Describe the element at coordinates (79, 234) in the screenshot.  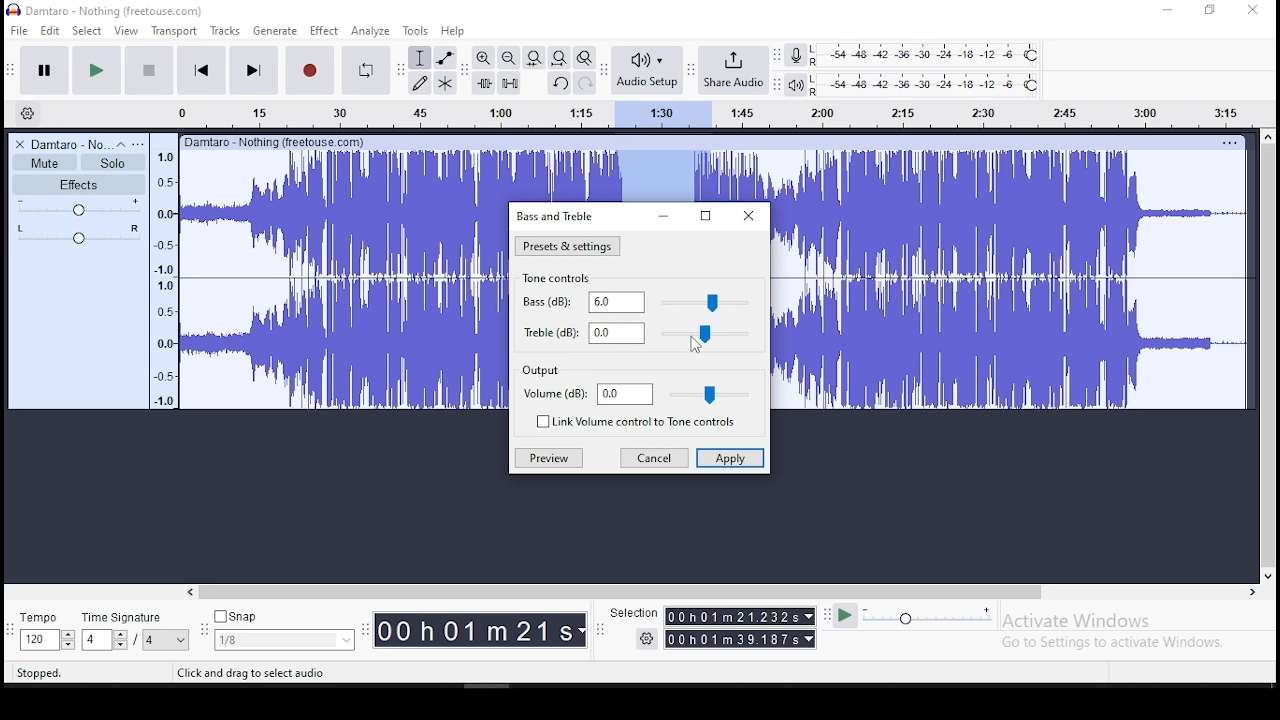
I see `pan` at that location.